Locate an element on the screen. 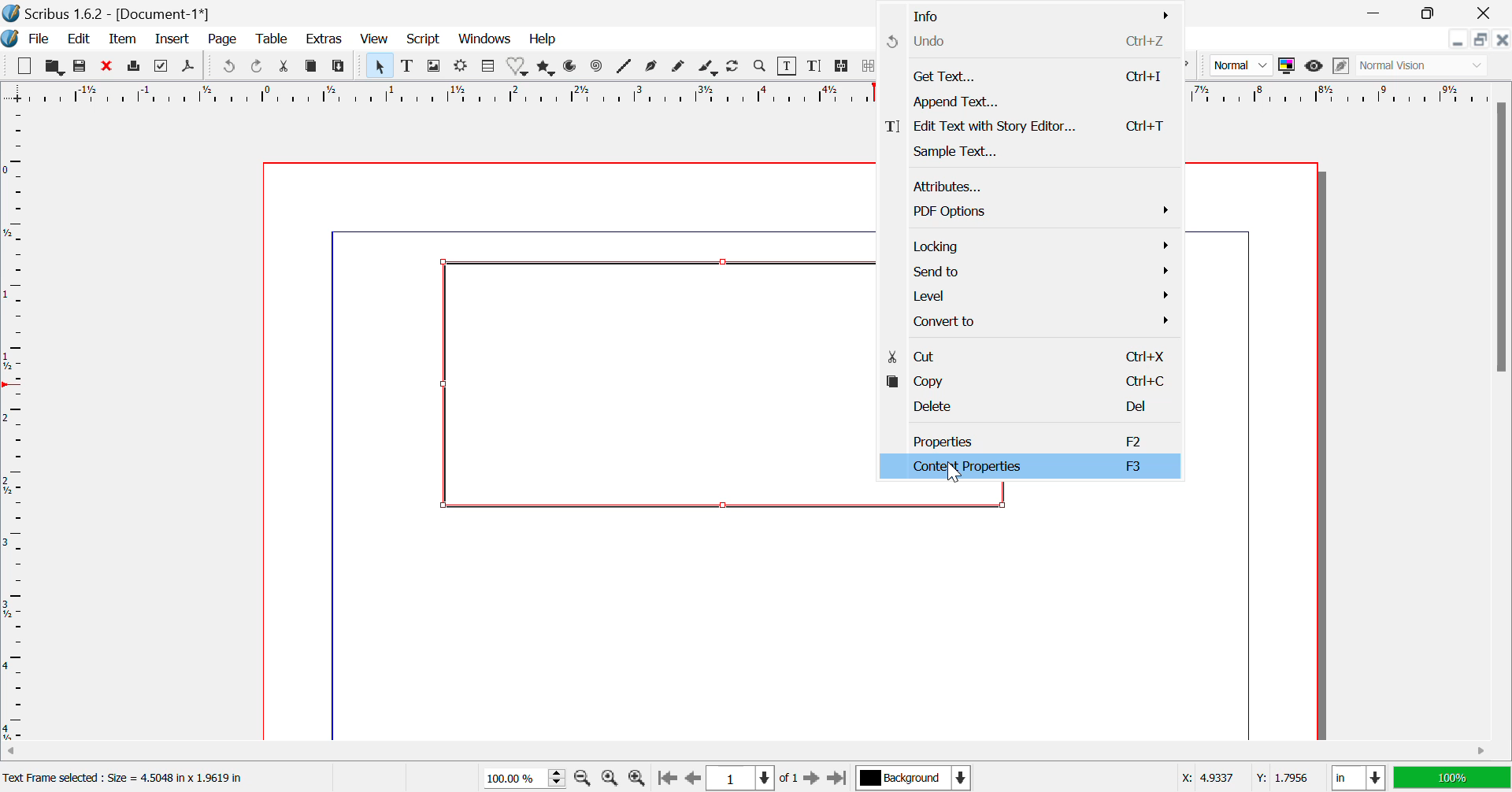  Select is located at coordinates (379, 65).